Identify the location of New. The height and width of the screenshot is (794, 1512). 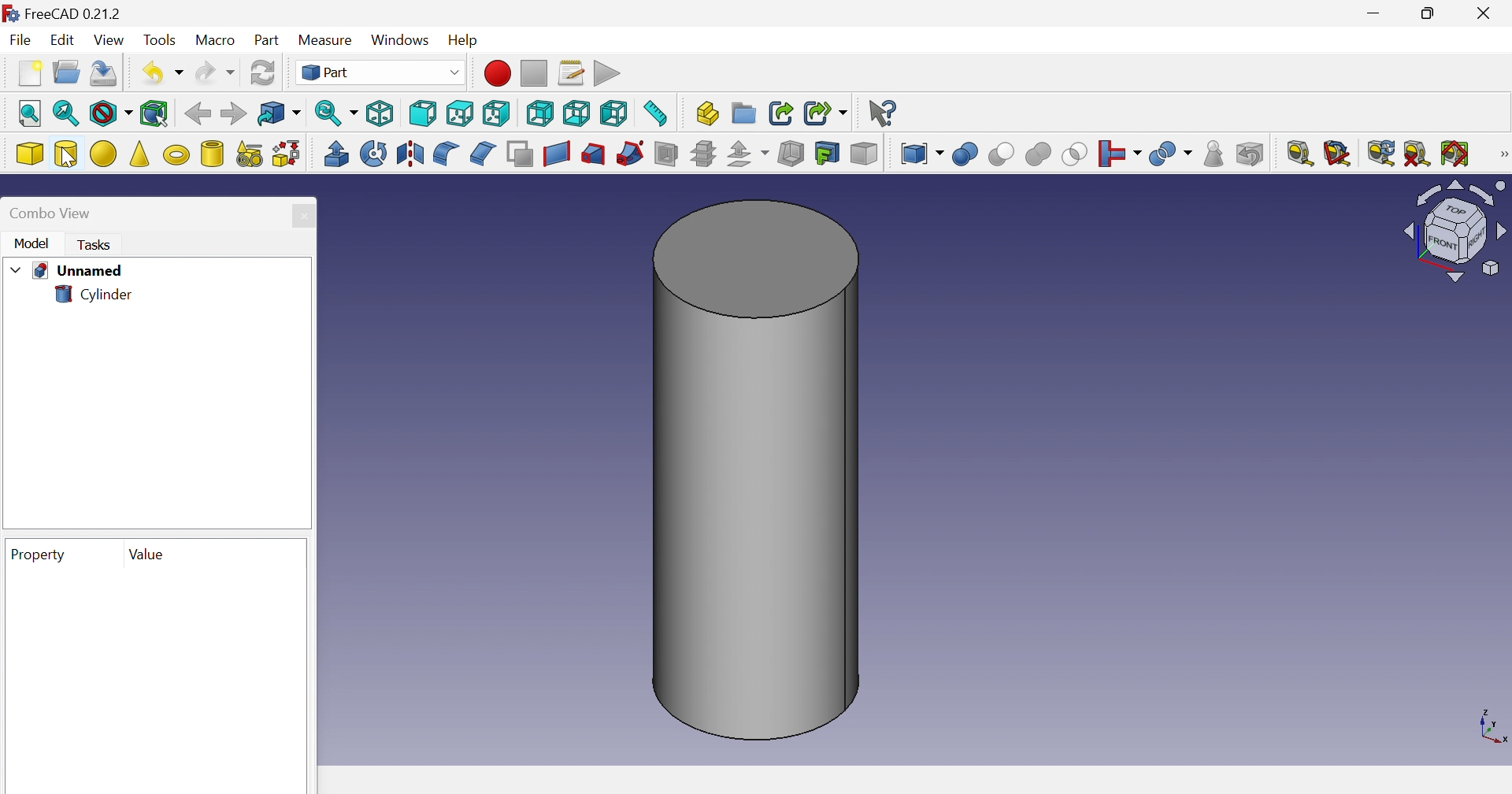
(27, 74).